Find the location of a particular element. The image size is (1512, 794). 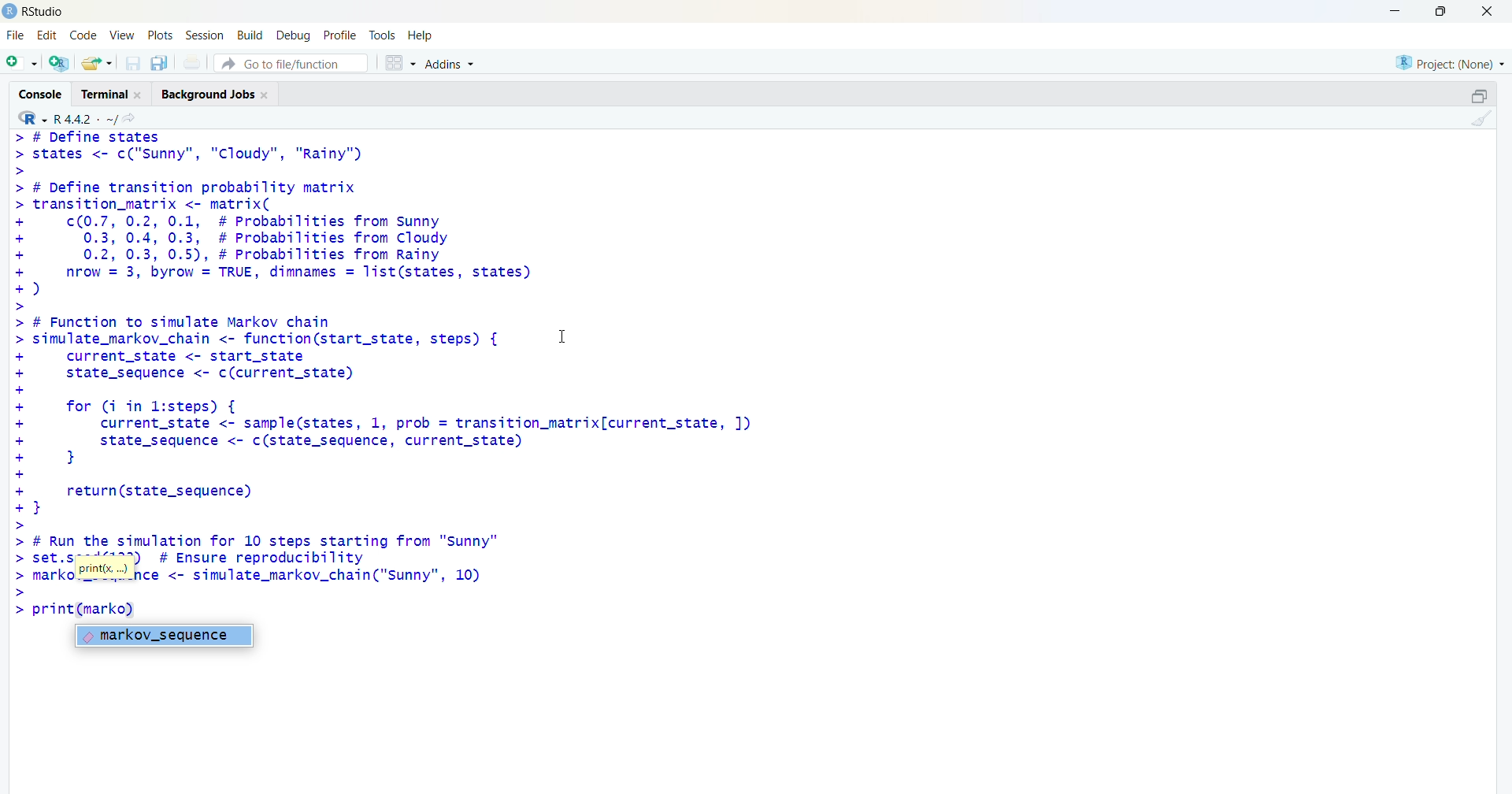

background jobs is located at coordinates (220, 95).